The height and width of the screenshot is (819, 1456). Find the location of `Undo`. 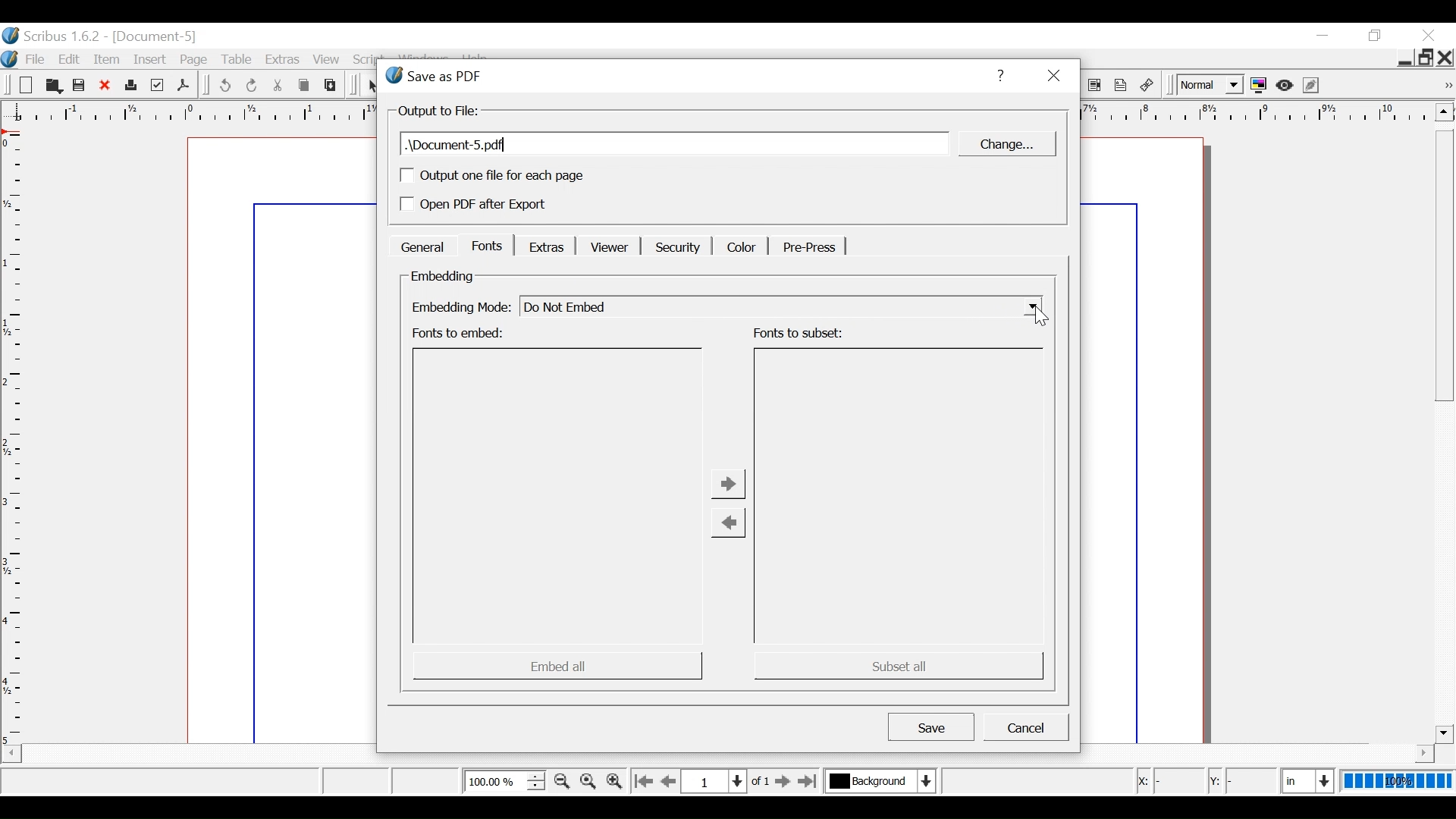

Undo is located at coordinates (224, 86).